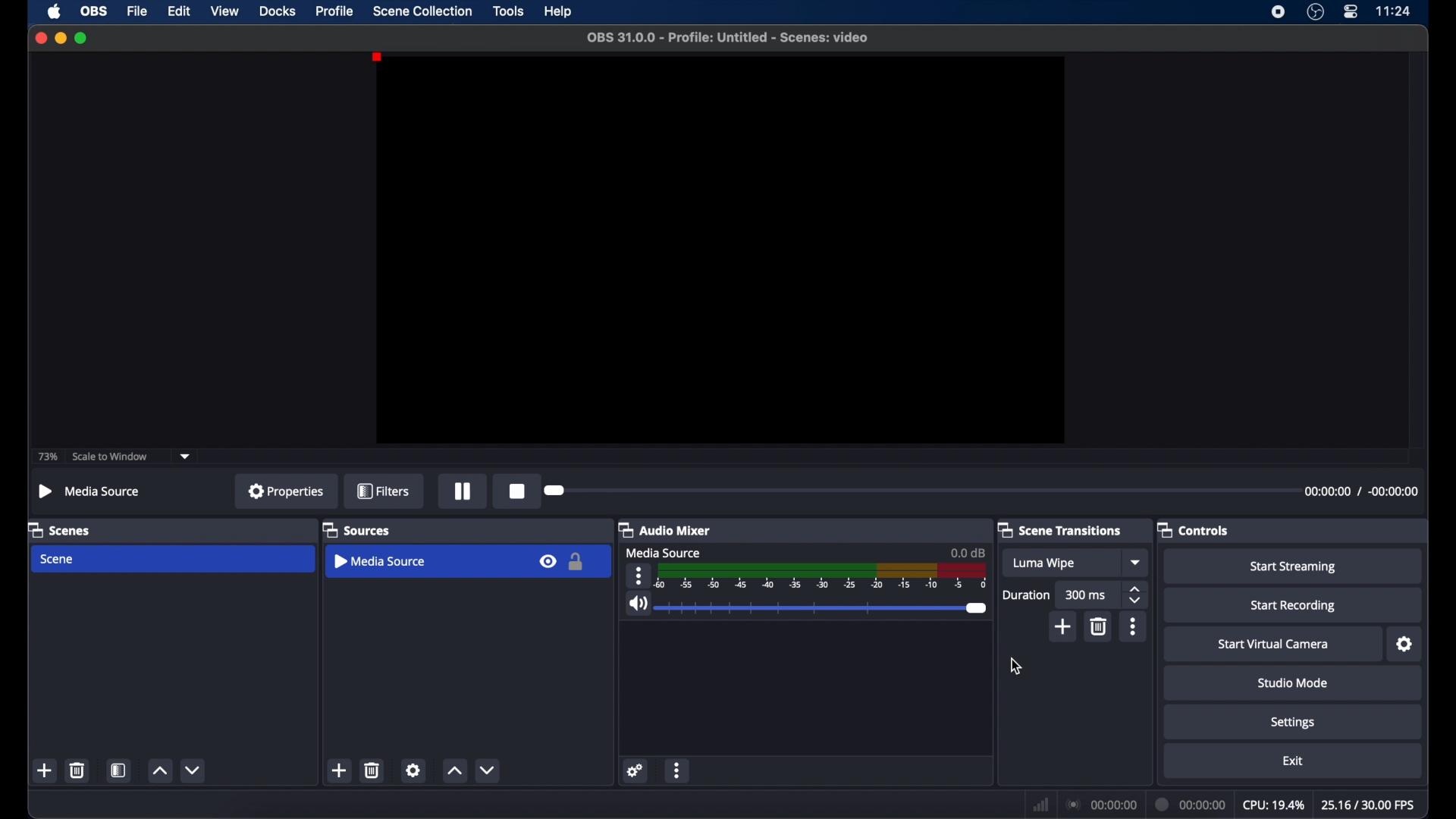  Describe the element at coordinates (118, 770) in the screenshot. I see `scene filters` at that location.